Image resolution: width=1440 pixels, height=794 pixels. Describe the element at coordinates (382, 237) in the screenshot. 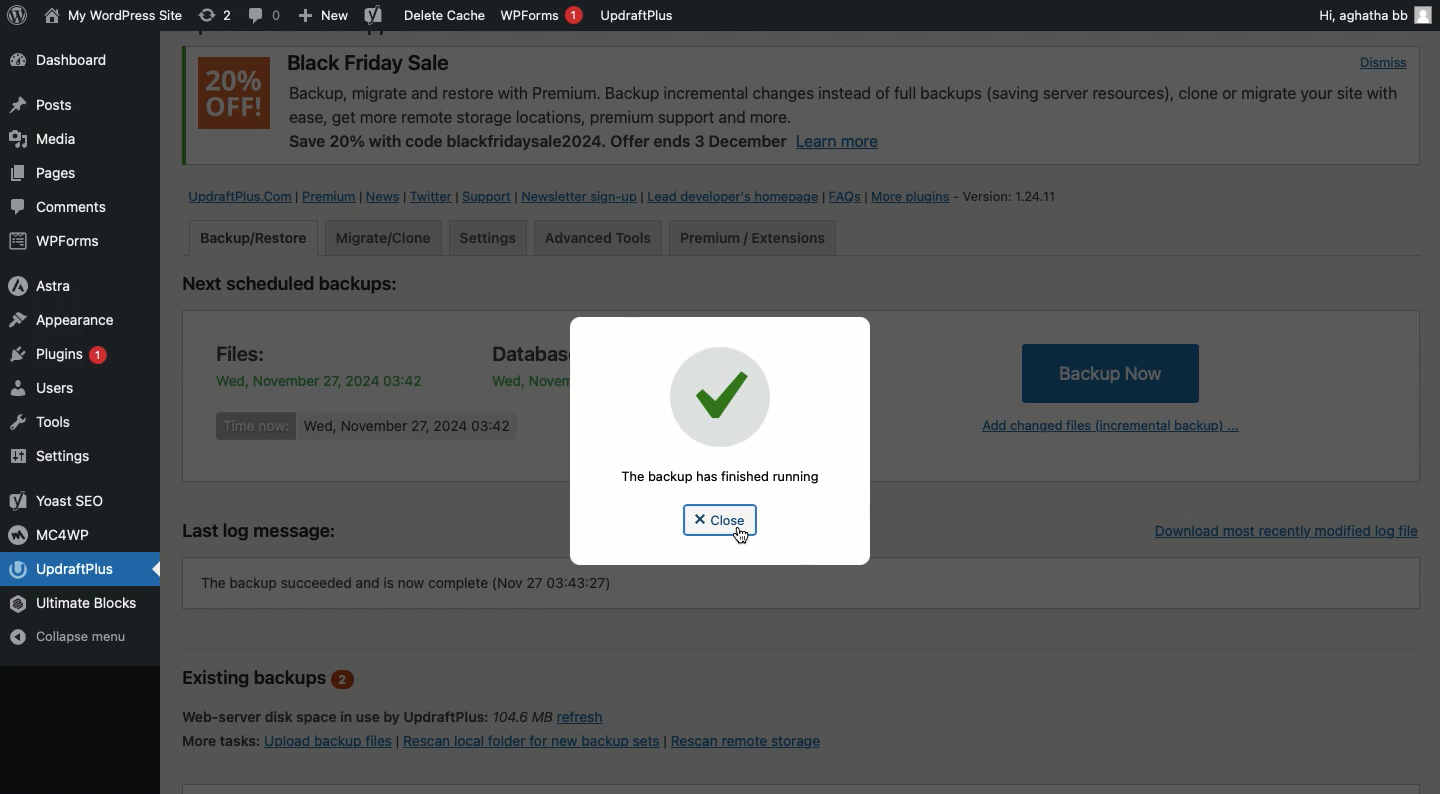

I see `Migrate clone` at that location.